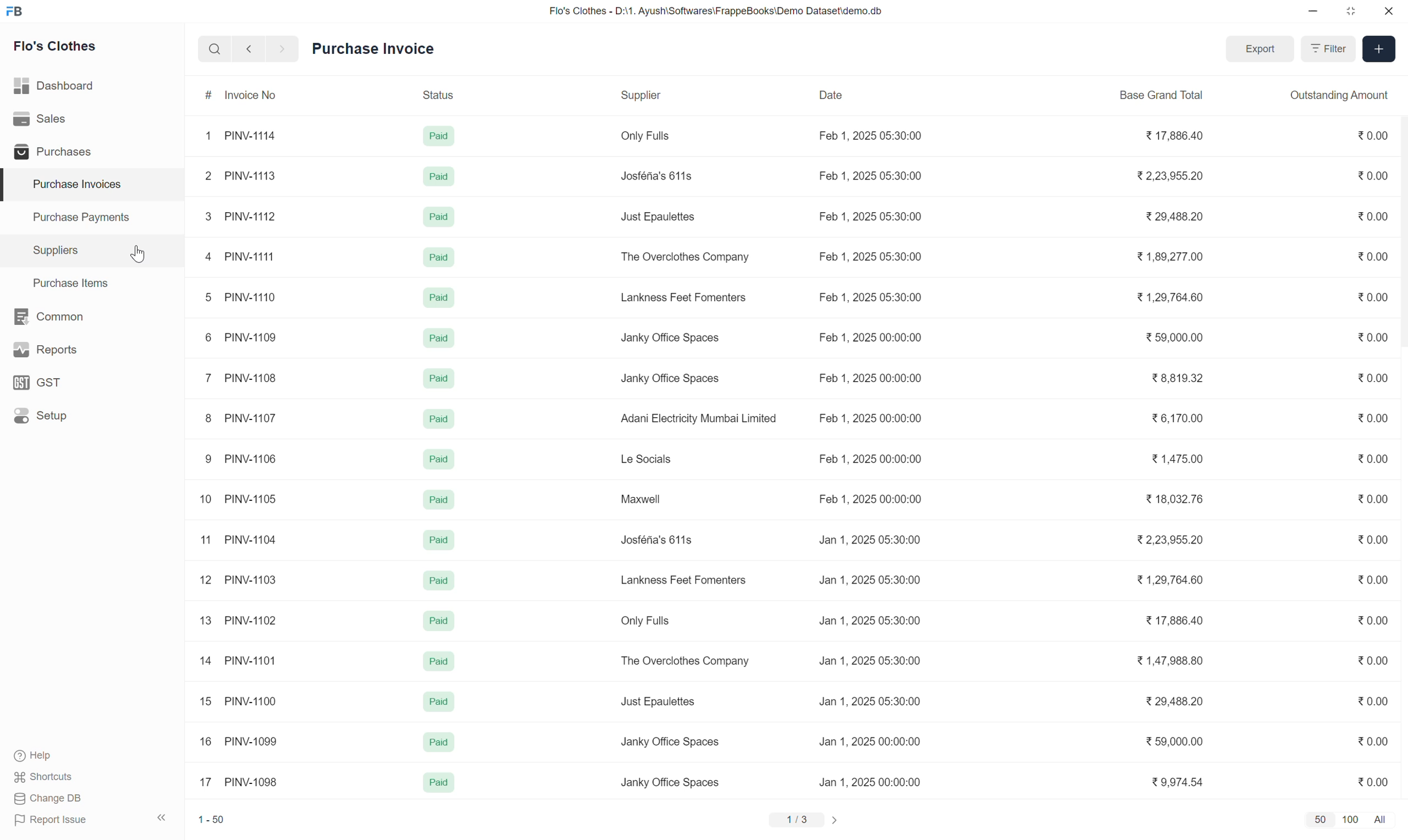 This screenshot has height=840, width=1408. Describe the element at coordinates (874, 177) in the screenshot. I see `Feb 1, 2025 05:30:00` at that location.